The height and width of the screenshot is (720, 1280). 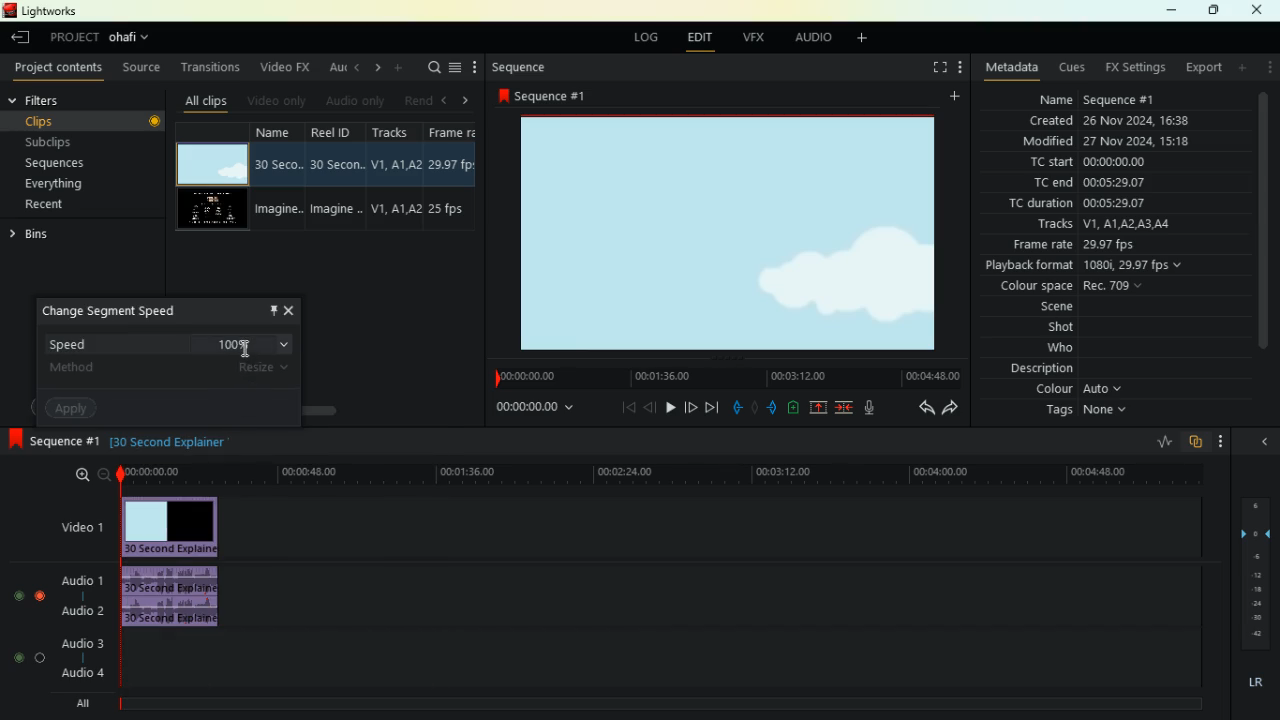 What do you see at coordinates (705, 40) in the screenshot?
I see `edit` at bounding box center [705, 40].